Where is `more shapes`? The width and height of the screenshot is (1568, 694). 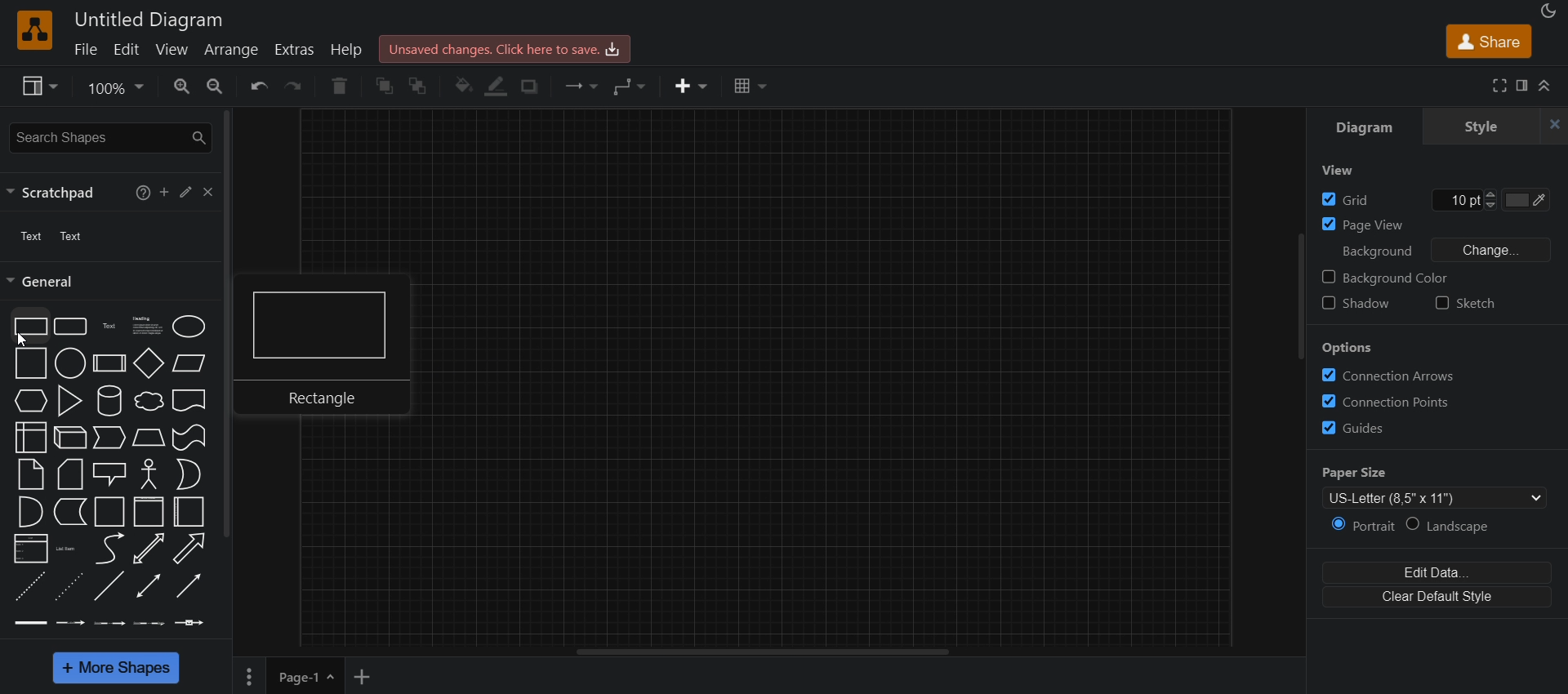
more shapes is located at coordinates (114, 667).